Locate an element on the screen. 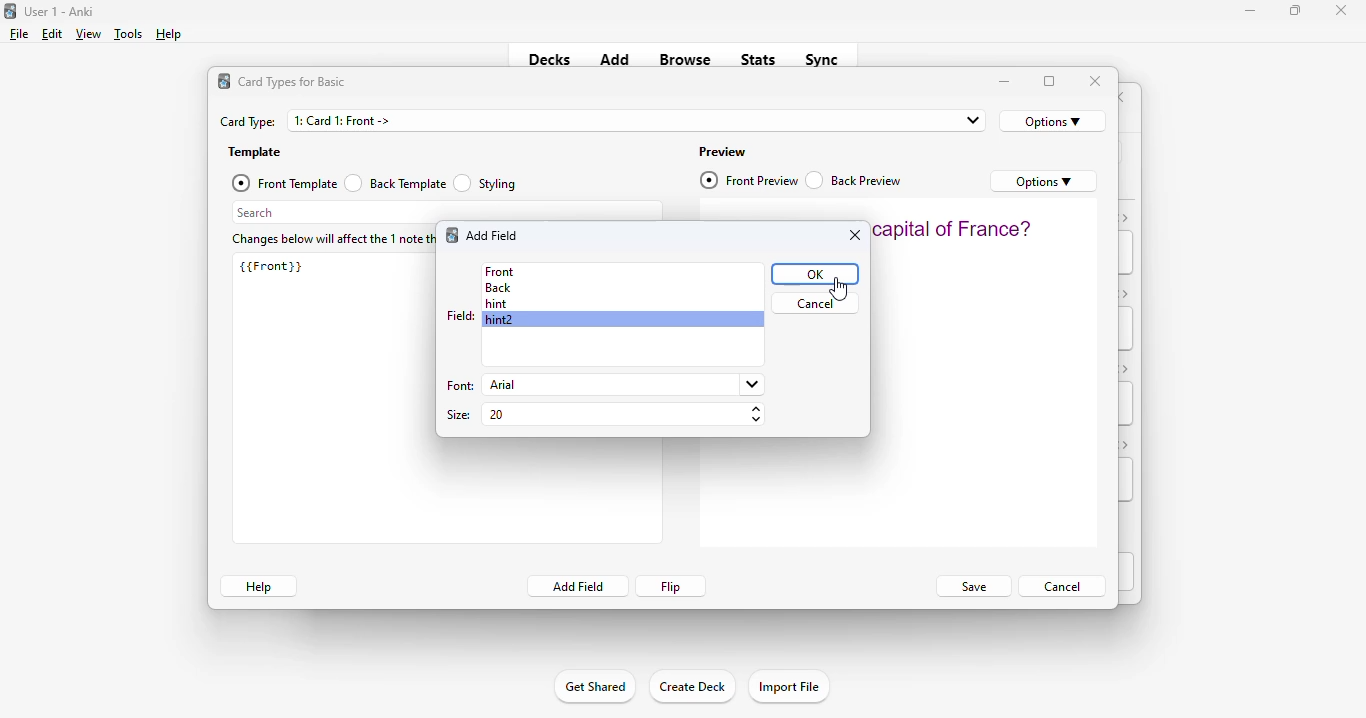 The width and height of the screenshot is (1366, 718). front preview is located at coordinates (750, 180).